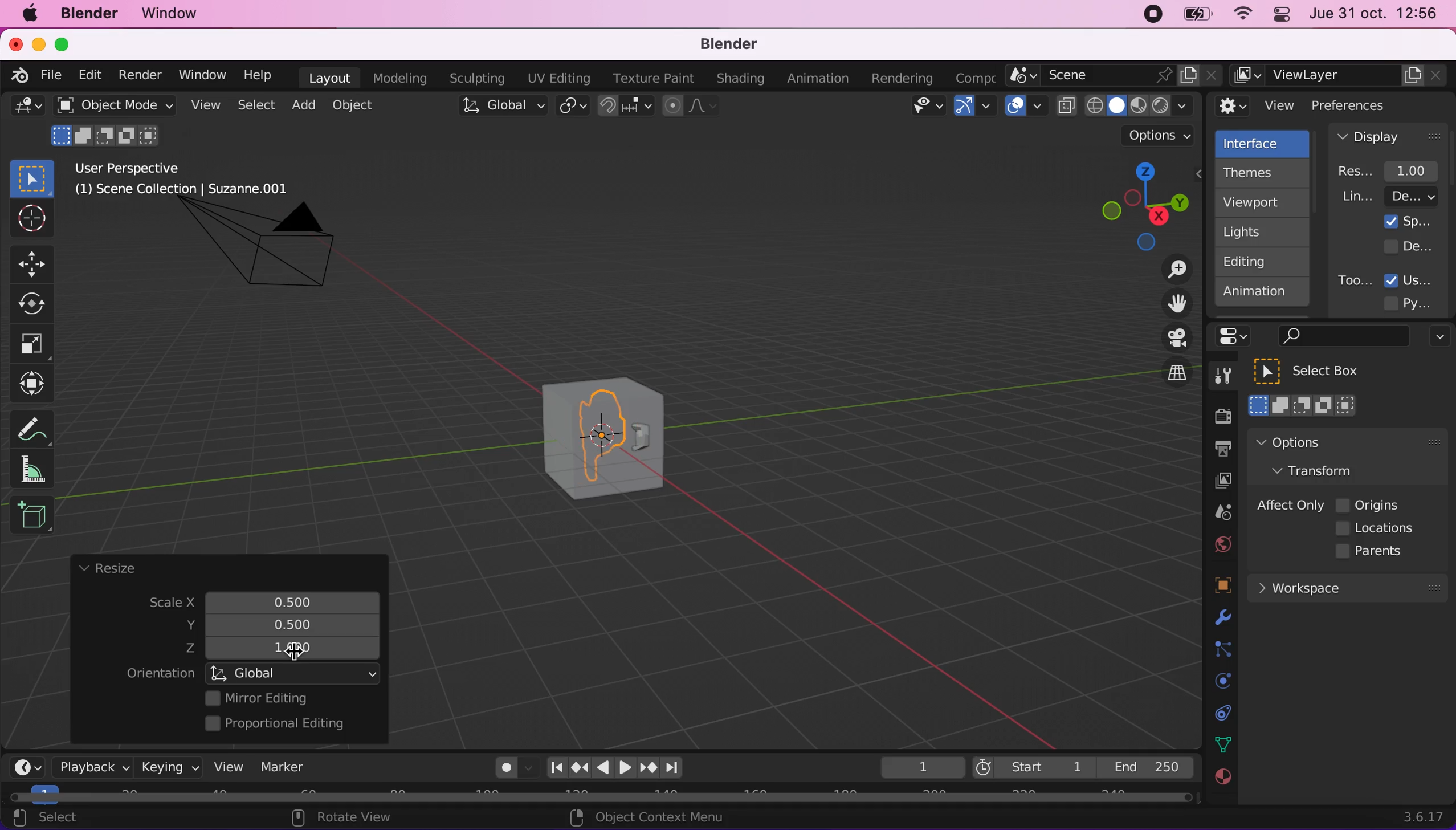 Image resolution: width=1456 pixels, height=830 pixels. What do you see at coordinates (1389, 136) in the screenshot?
I see `display panel` at bounding box center [1389, 136].